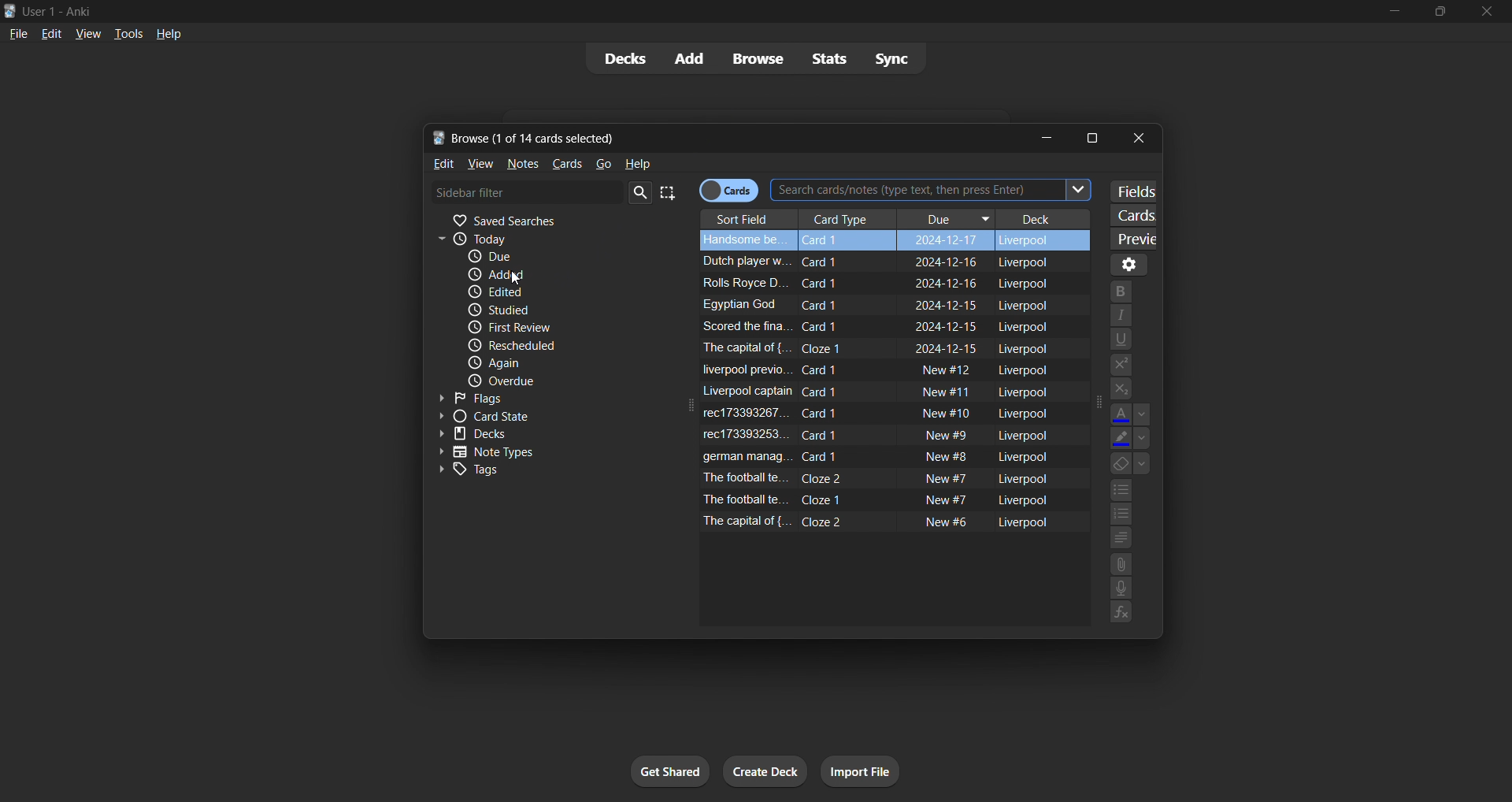 The width and height of the screenshot is (1512, 802). What do you see at coordinates (877, 477) in the screenshot?
I see `The football te... Cloze 2 New #7 Liverpool` at bounding box center [877, 477].